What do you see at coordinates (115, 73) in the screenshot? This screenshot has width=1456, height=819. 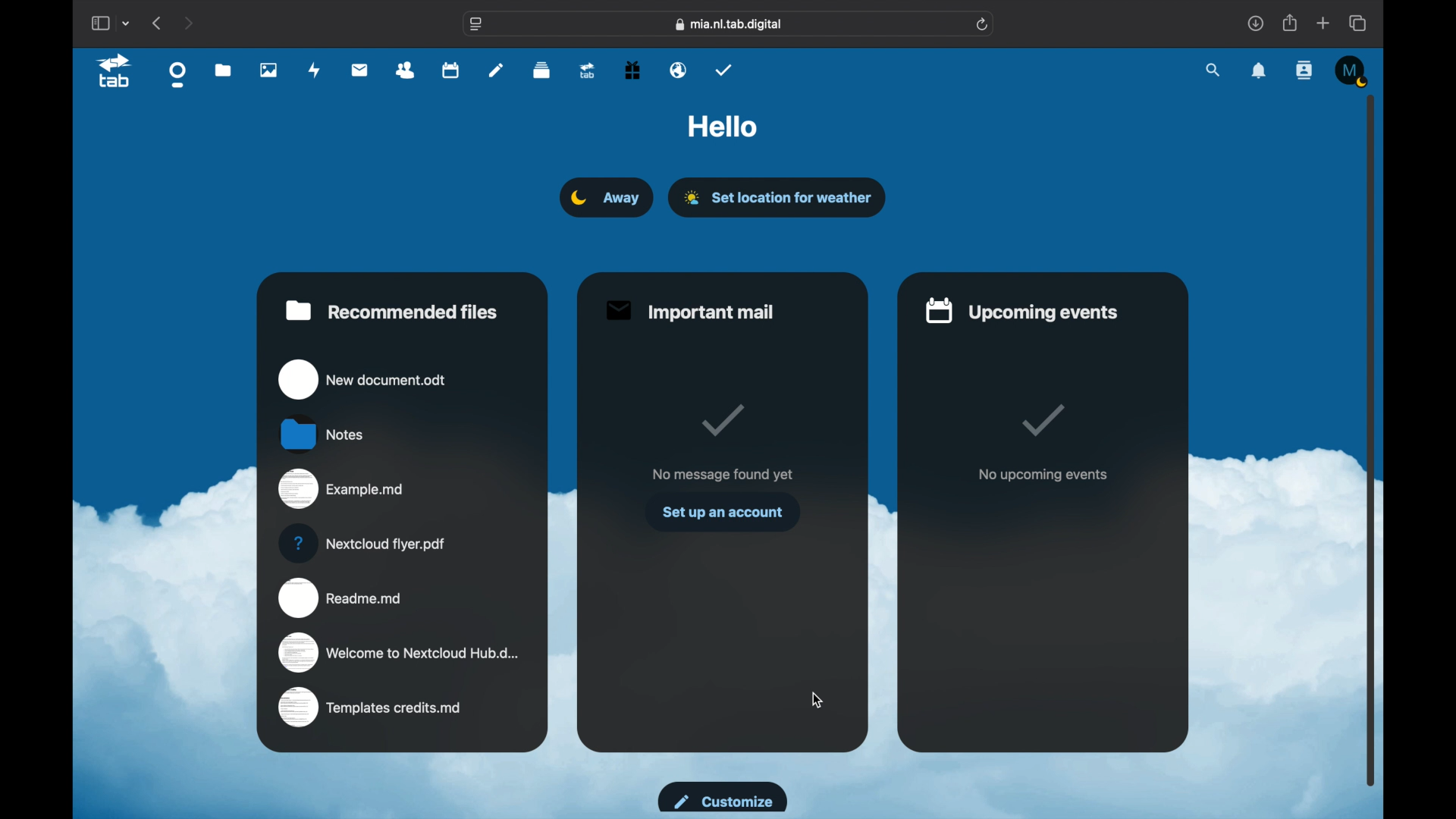 I see `tab` at bounding box center [115, 73].